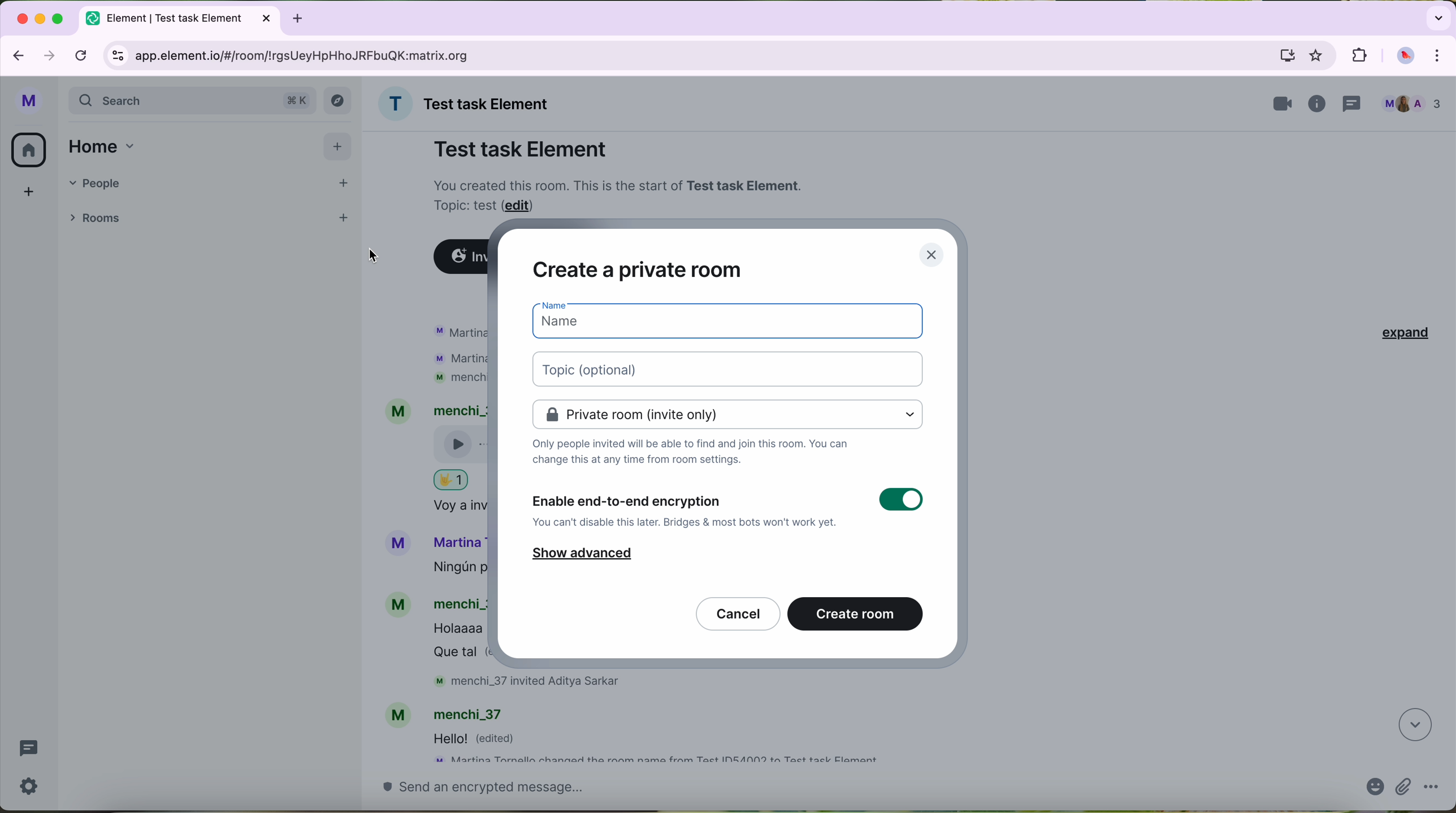 This screenshot has height=813, width=1456. Describe the element at coordinates (1358, 54) in the screenshot. I see `extensions` at that location.